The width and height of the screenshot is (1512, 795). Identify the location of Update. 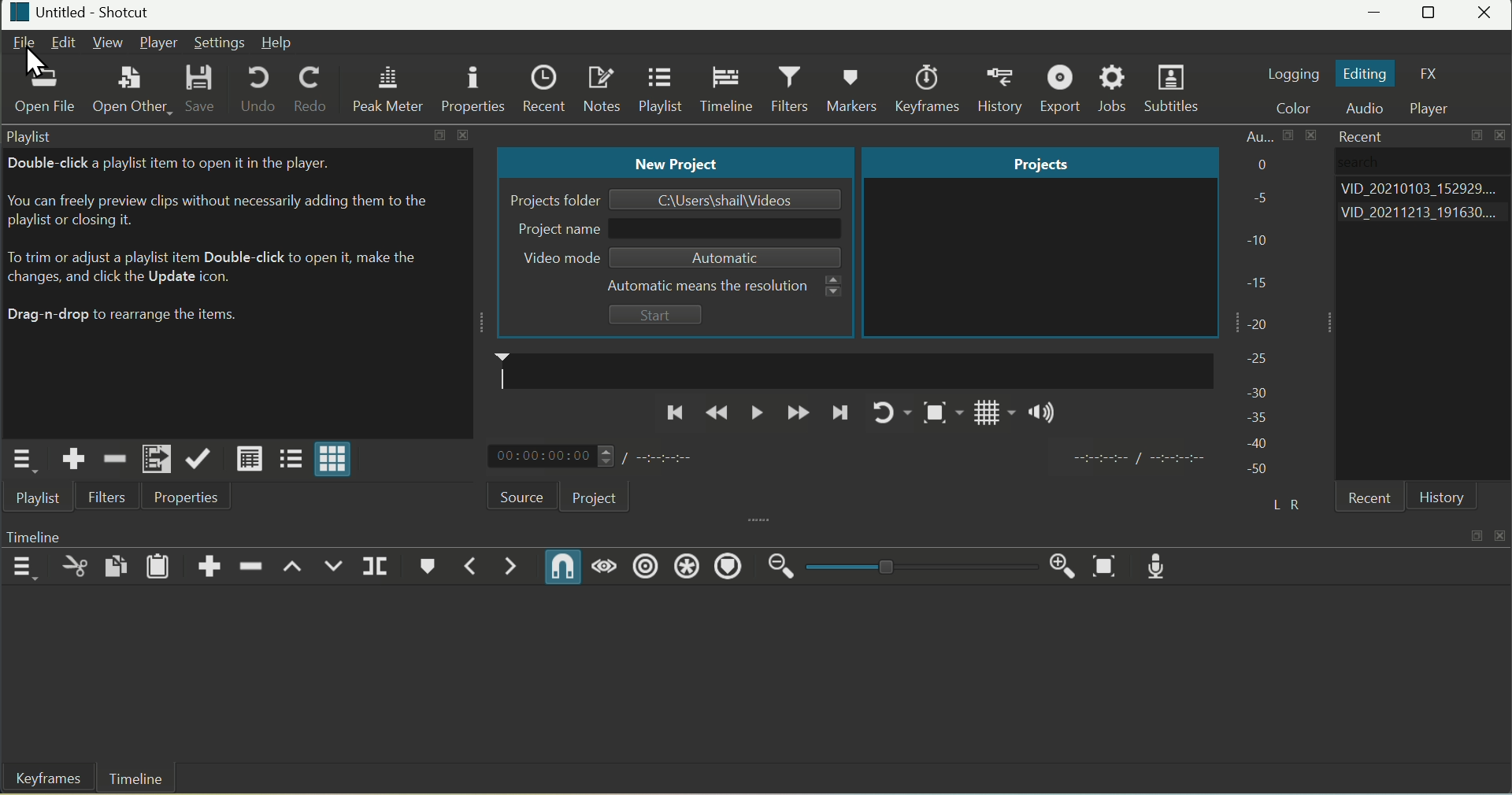
(198, 457).